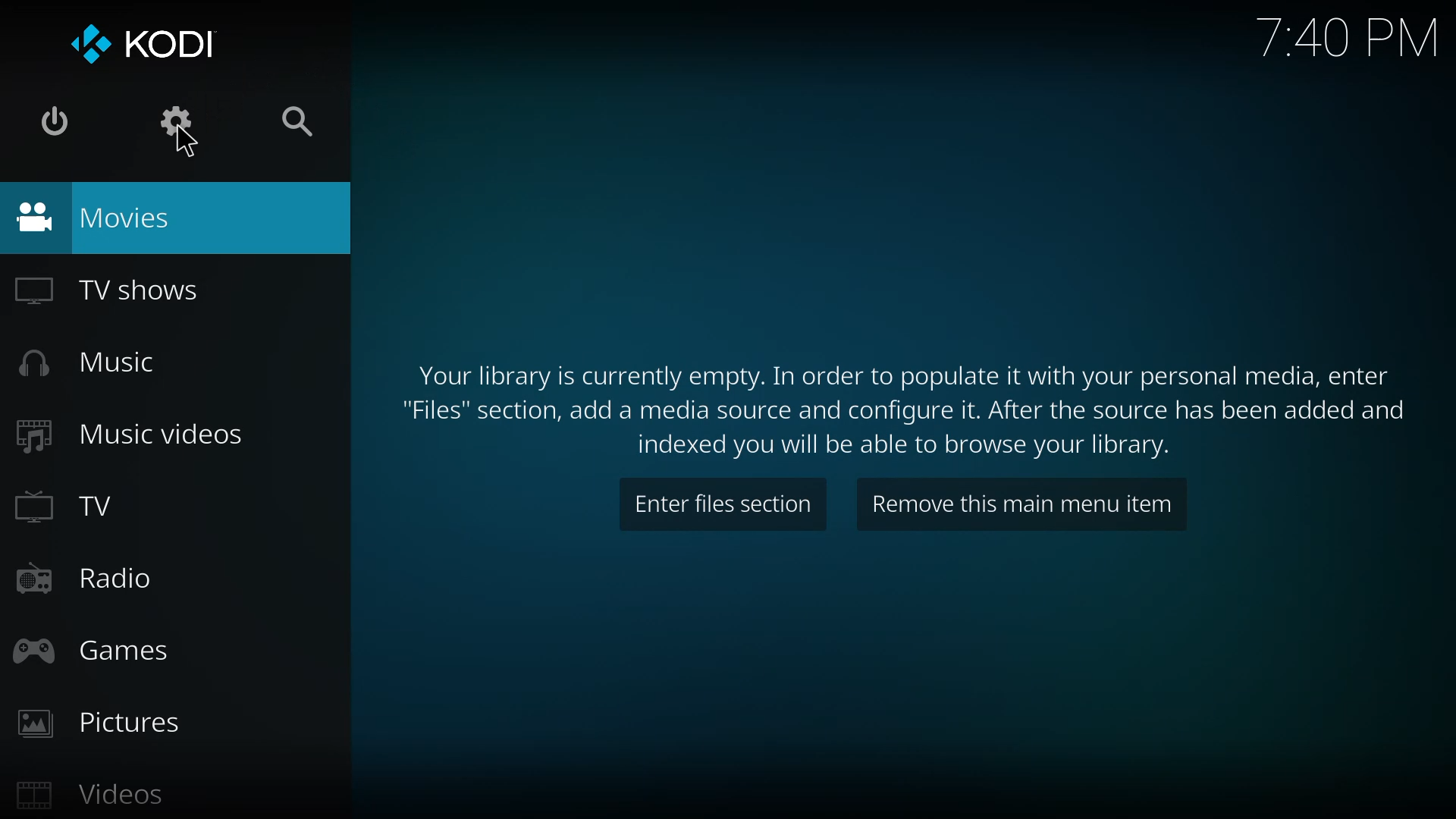  Describe the element at coordinates (721, 504) in the screenshot. I see `enter files section` at that location.